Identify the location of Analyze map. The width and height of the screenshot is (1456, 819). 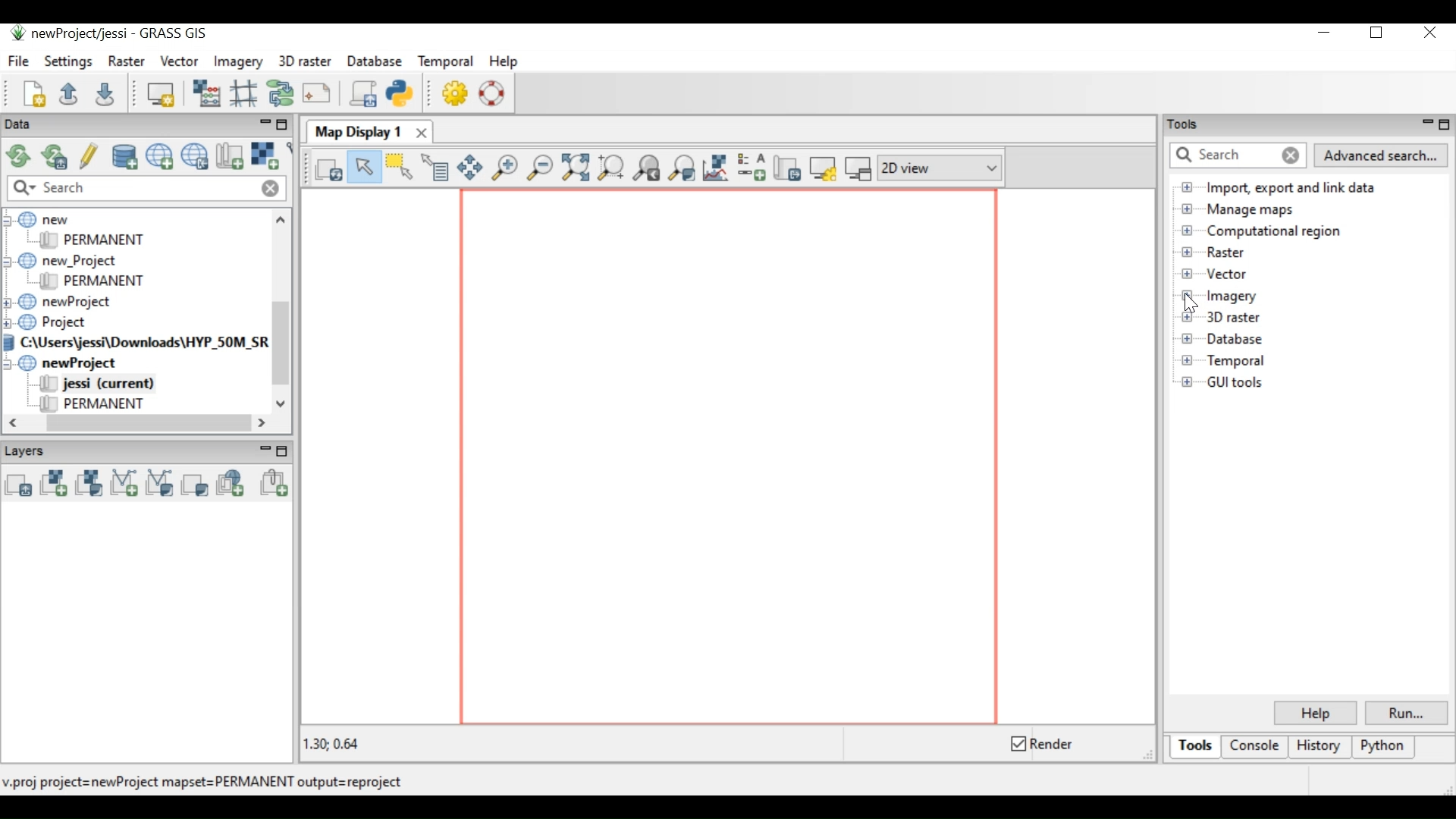
(717, 168).